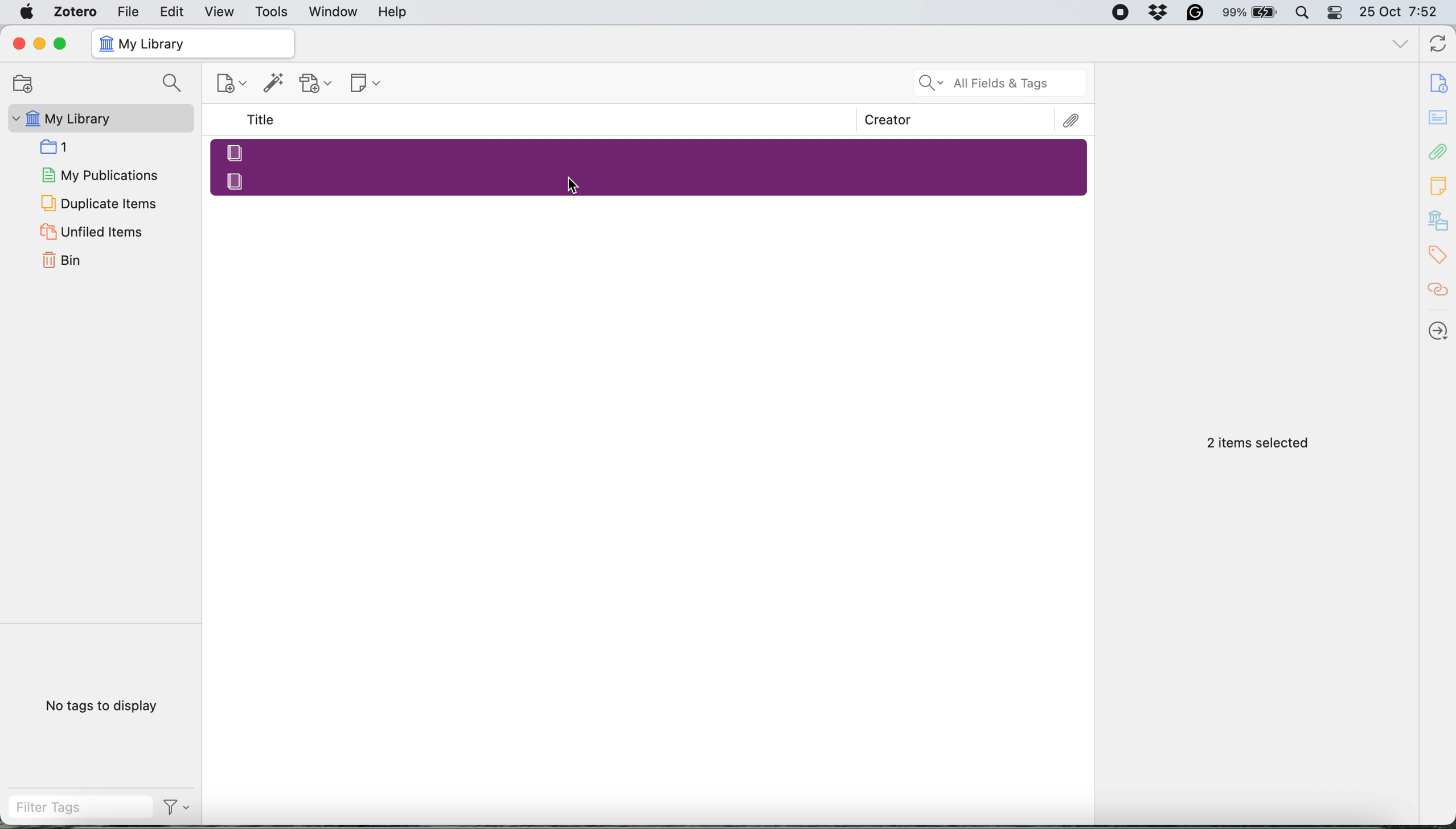 This screenshot has width=1456, height=829. Describe the element at coordinates (128, 11) in the screenshot. I see `File` at that location.